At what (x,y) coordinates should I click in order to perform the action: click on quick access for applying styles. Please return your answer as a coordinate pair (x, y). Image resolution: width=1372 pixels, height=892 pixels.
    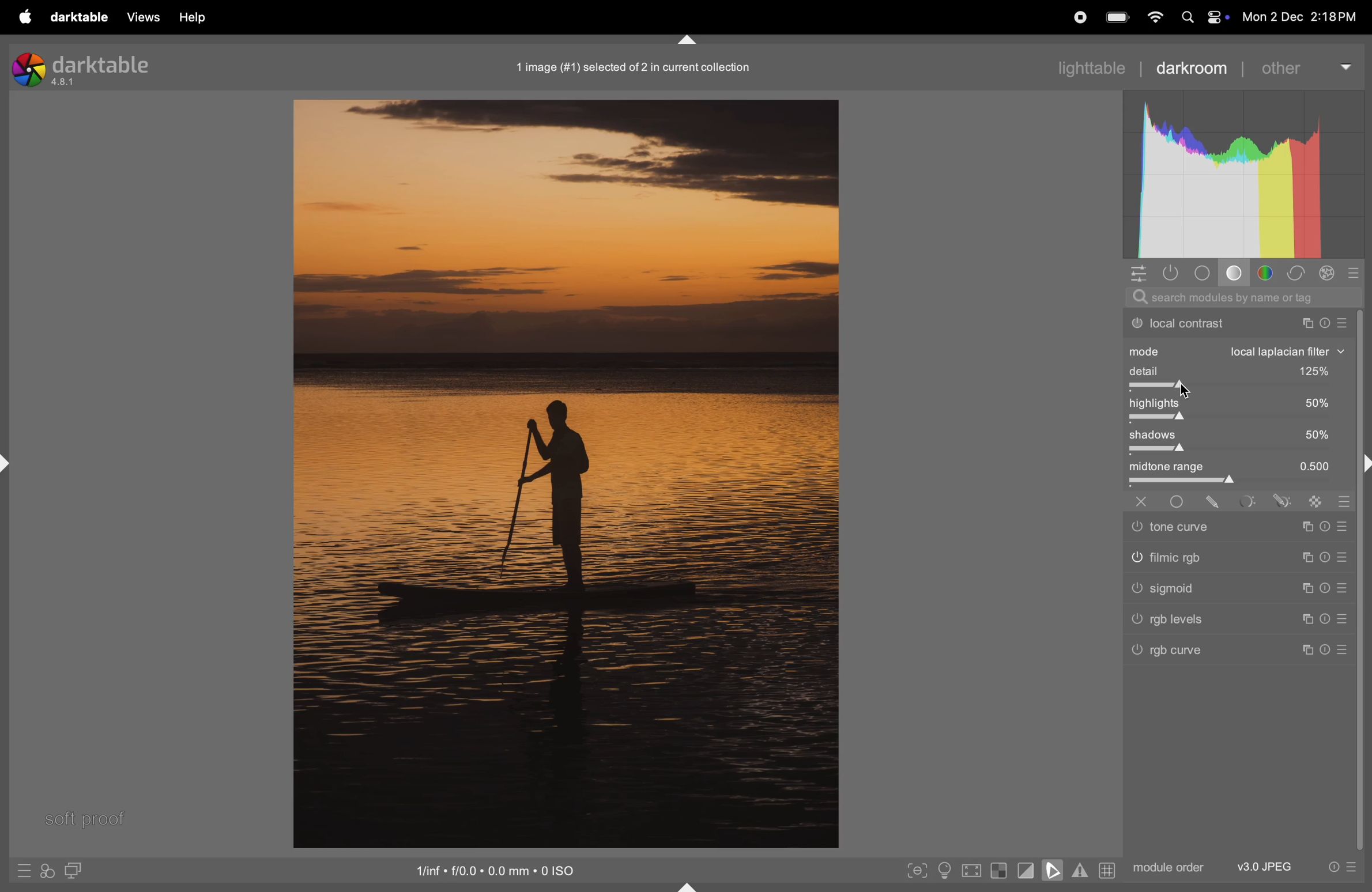
    Looking at the image, I should click on (47, 871).